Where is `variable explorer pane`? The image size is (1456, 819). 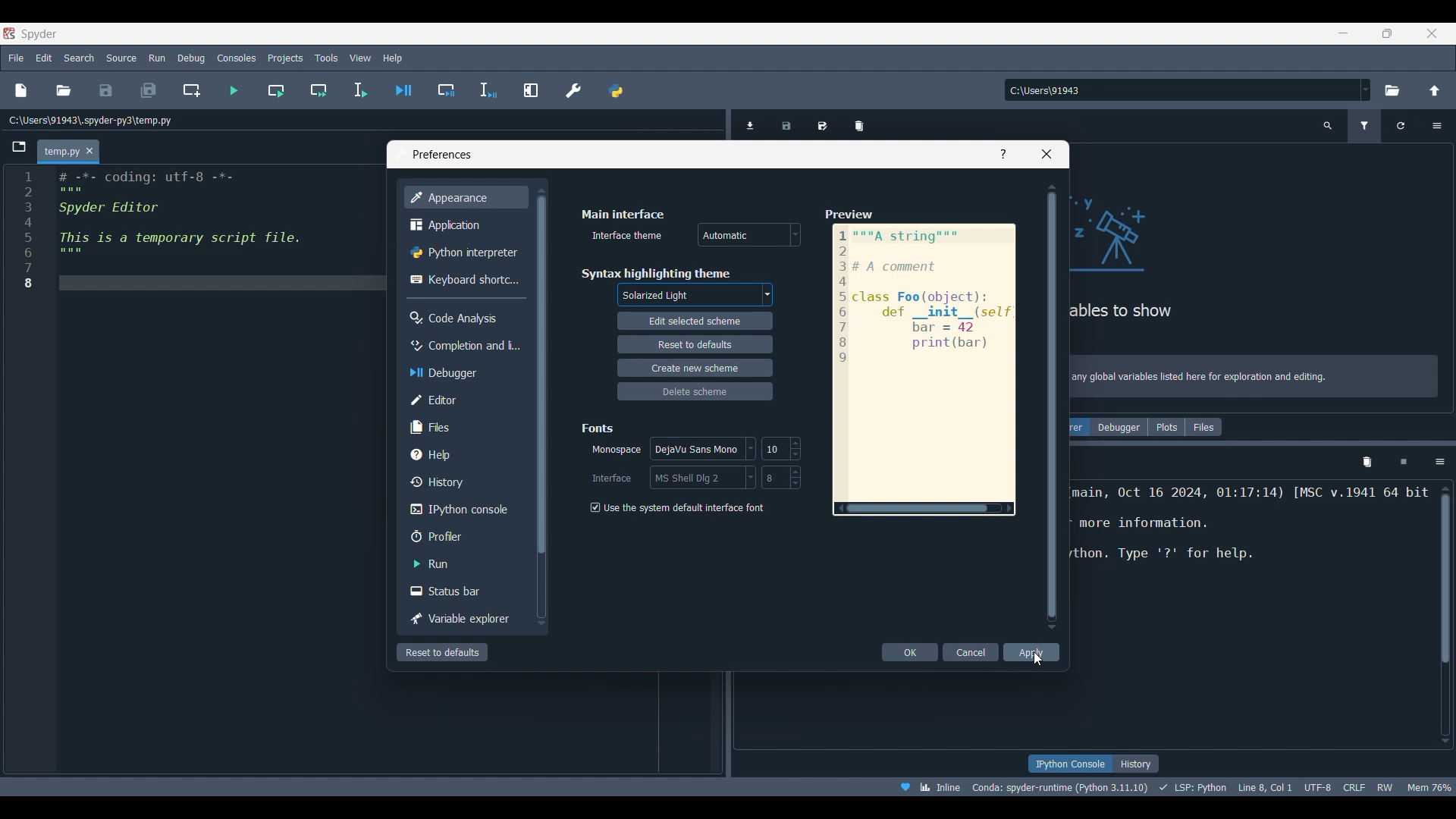 variable explorer pane is located at coordinates (1198, 261).